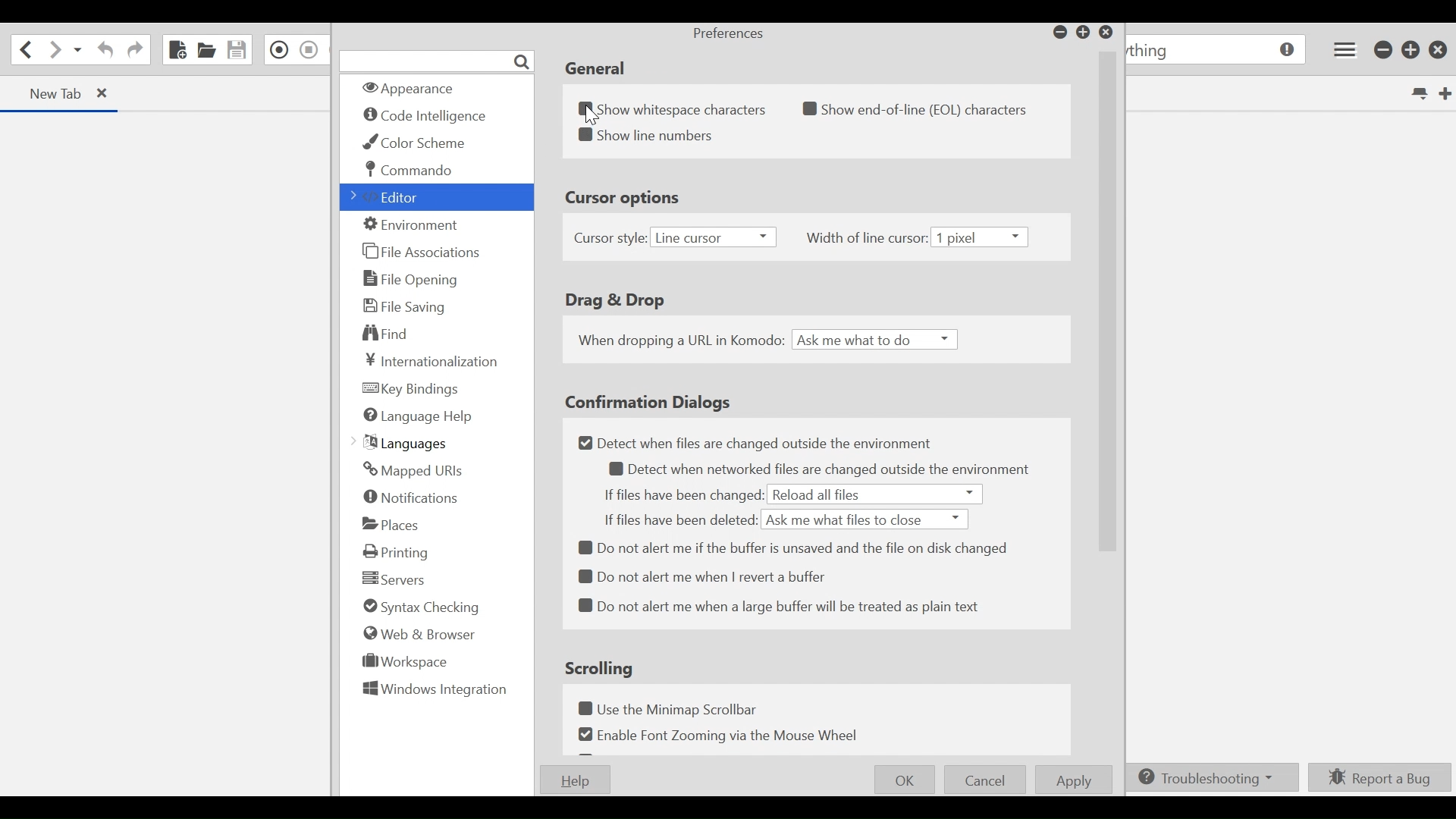 Image resolution: width=1456 pixels, height=819 pixels. I want to click on  If files have been deleted:, so click(677, 519).